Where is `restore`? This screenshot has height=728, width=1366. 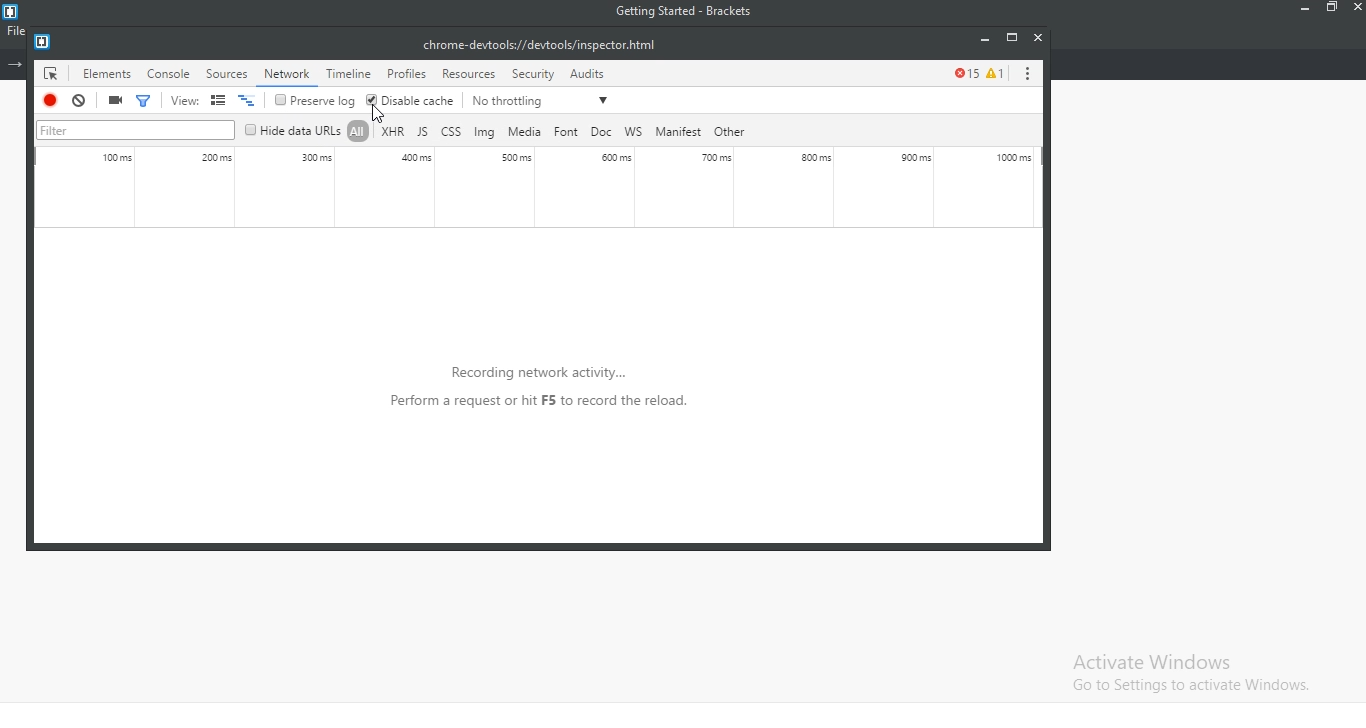
restore is located at coordinates (1331, 10).